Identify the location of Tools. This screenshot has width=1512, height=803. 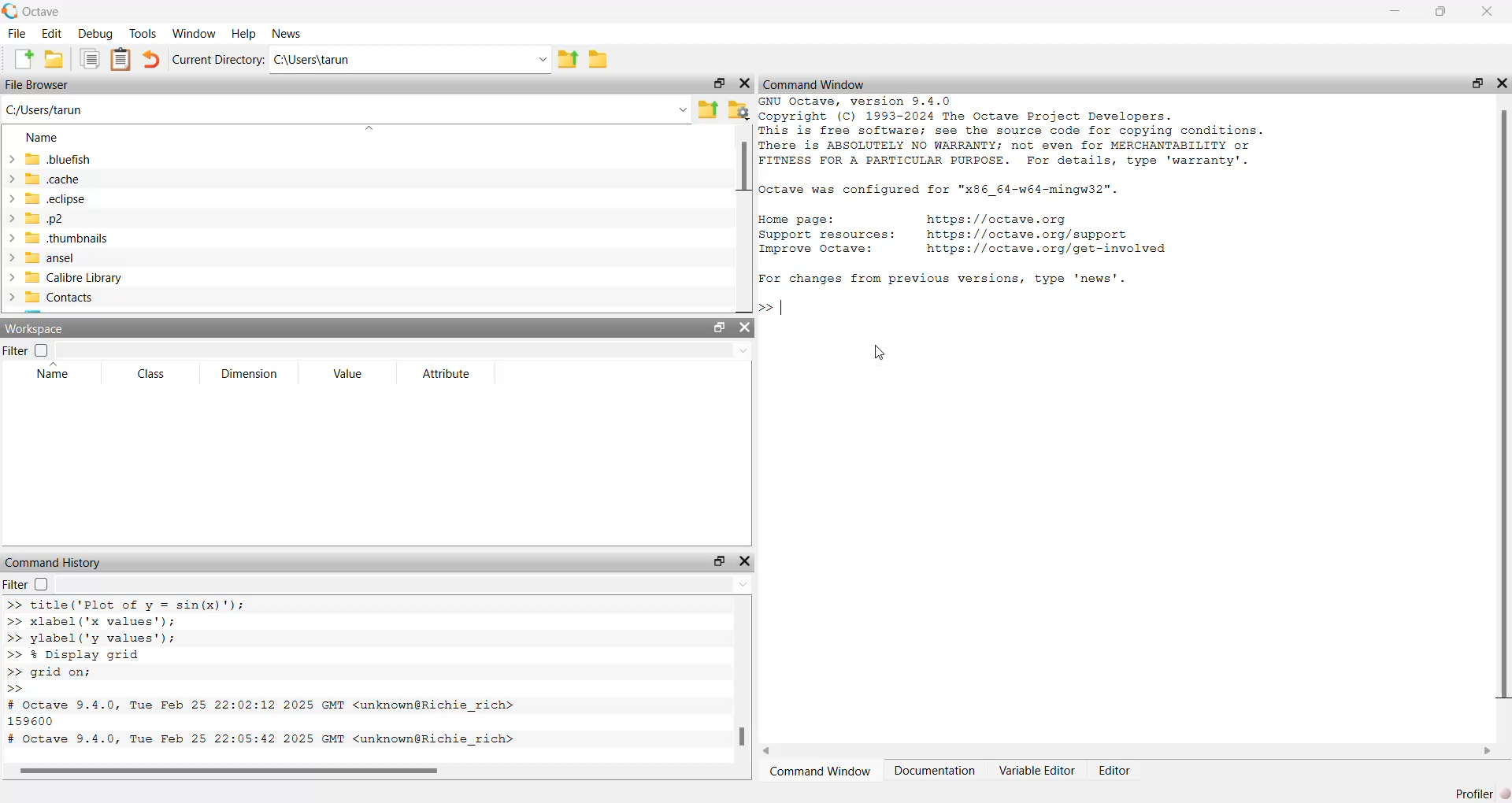
(142, 34).